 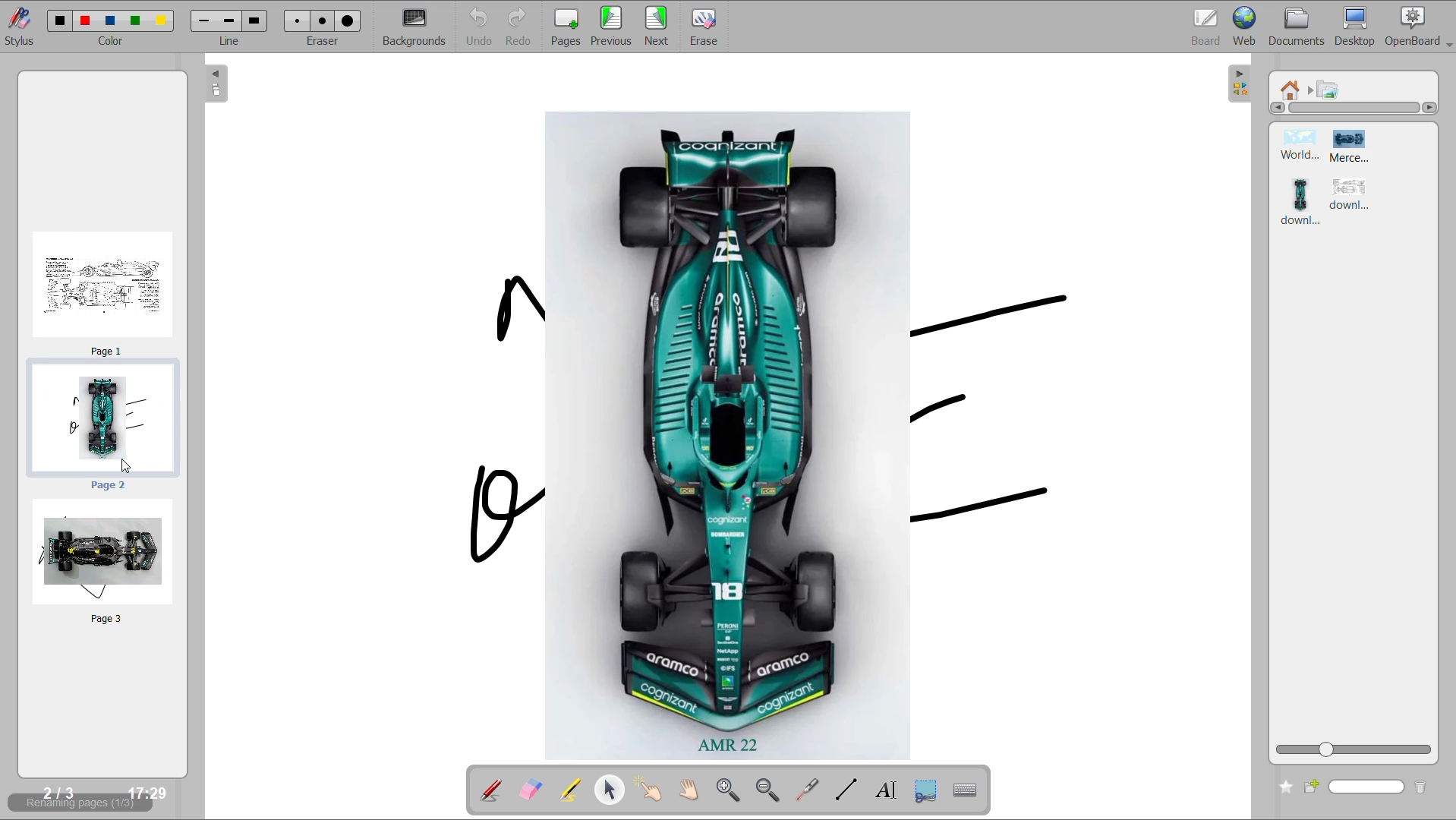 What do you see at coordinates (20, 32) in the screenshot?
I see `stylus` at bounding box center [20, 32].